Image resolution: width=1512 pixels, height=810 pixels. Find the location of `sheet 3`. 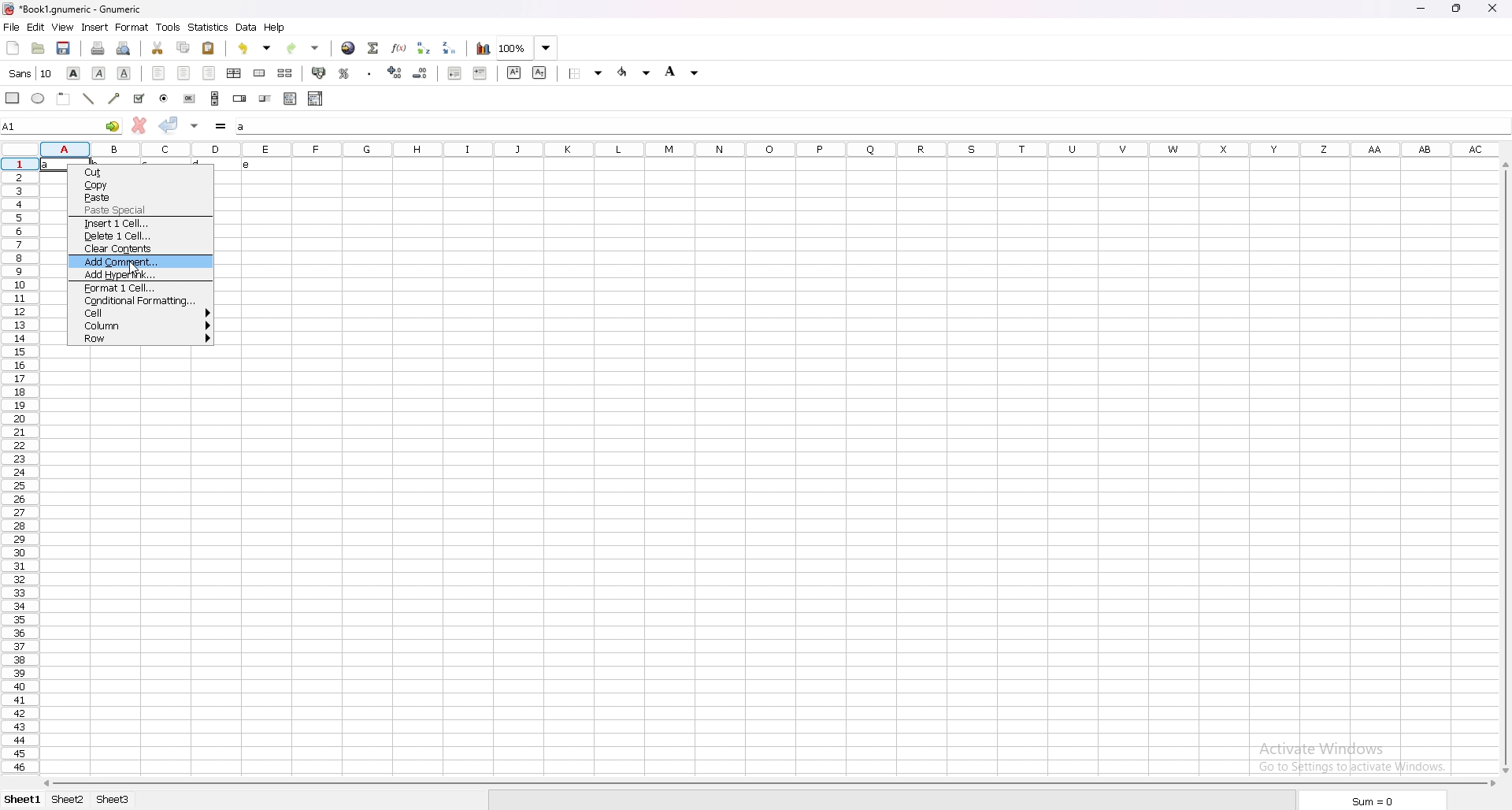

sheet 3 is located at coordinates (113, 800).